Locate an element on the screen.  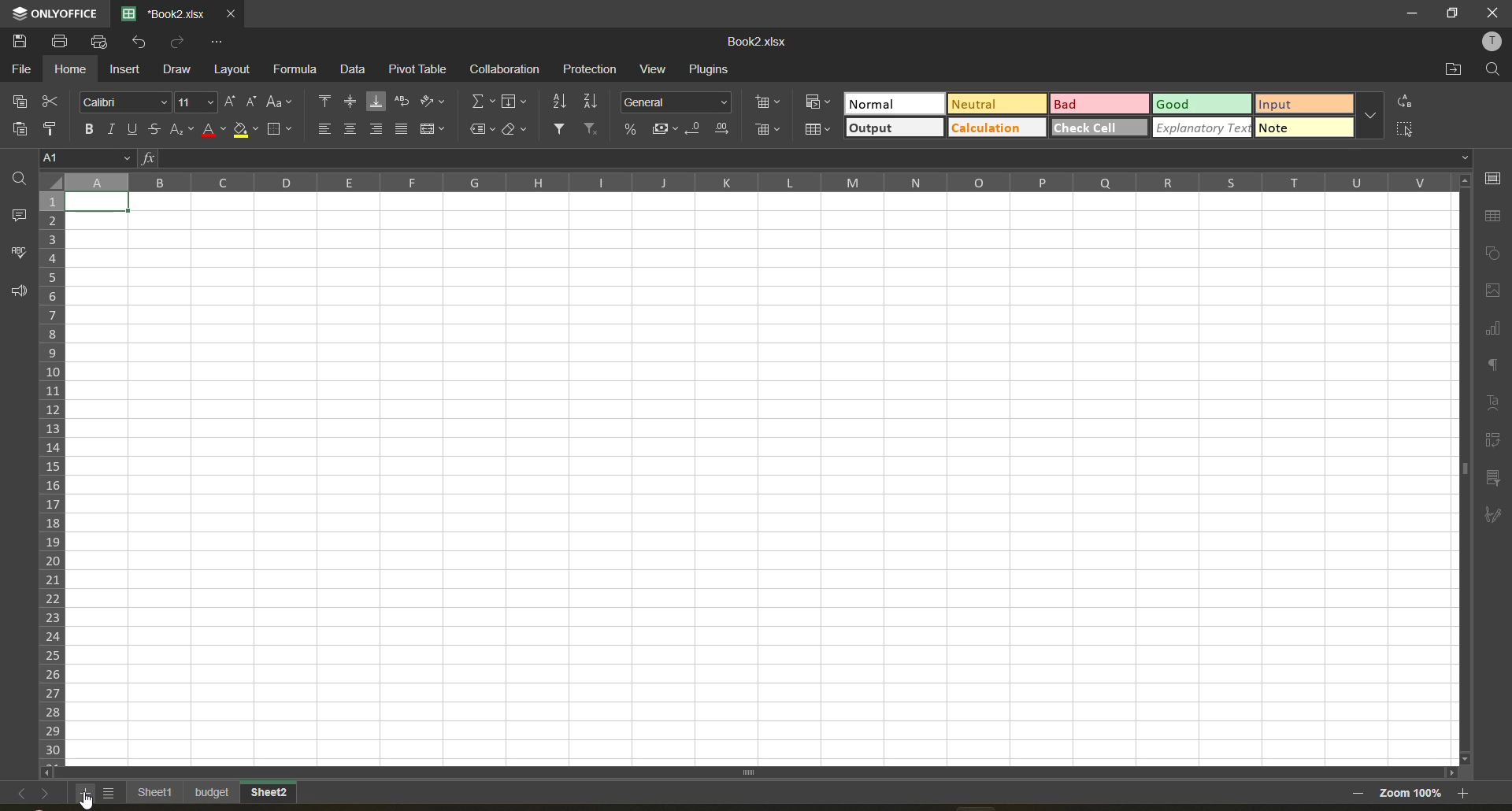
scroll bar is located at coordinates (796, 773).